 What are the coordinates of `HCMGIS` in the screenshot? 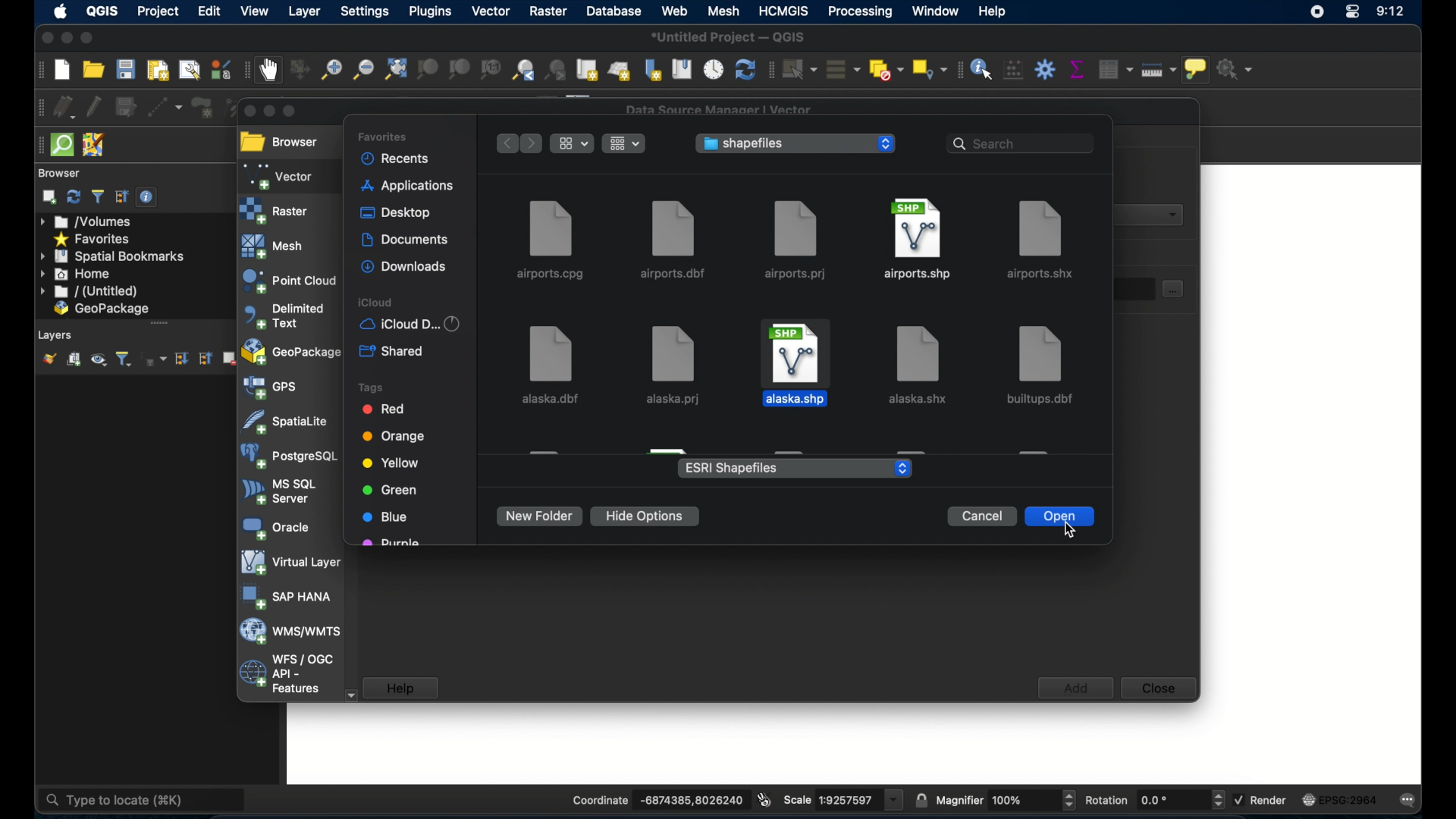 It's located at (785, 11).